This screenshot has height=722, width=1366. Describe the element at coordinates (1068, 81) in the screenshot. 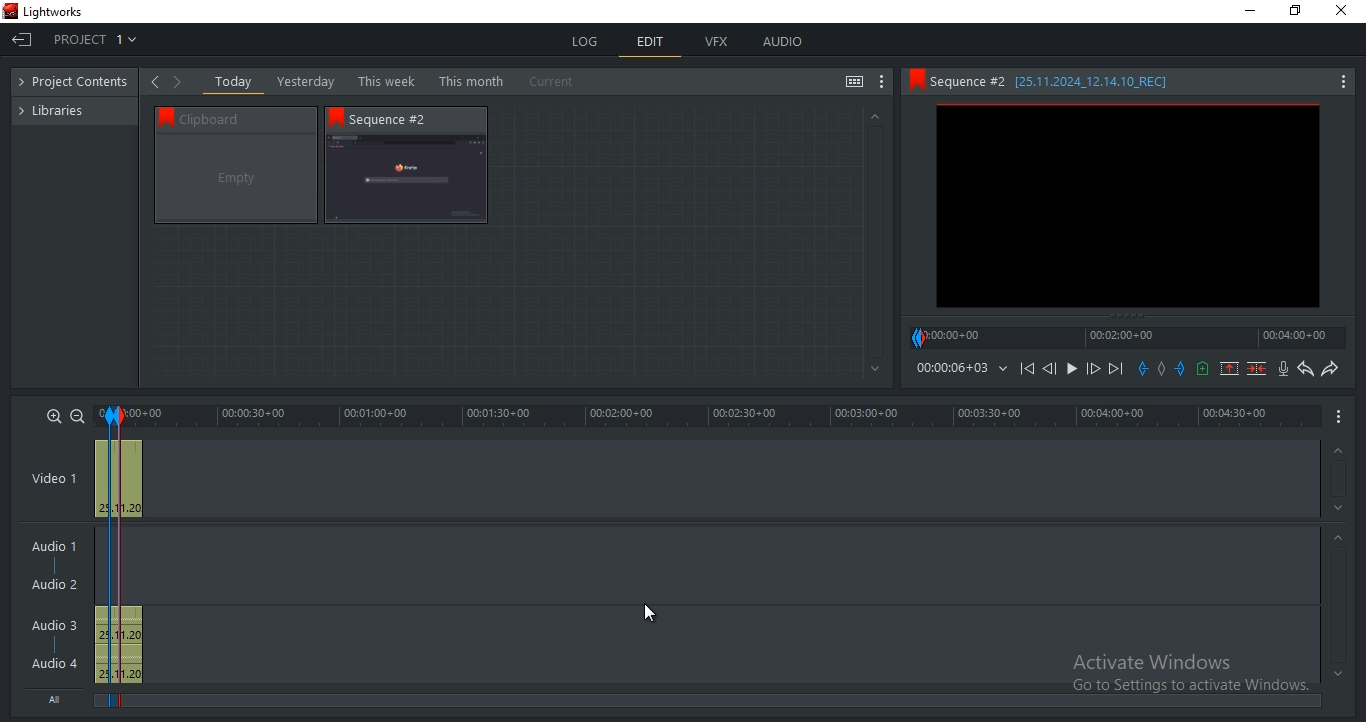

I see `Sequence 2 details` at that location.